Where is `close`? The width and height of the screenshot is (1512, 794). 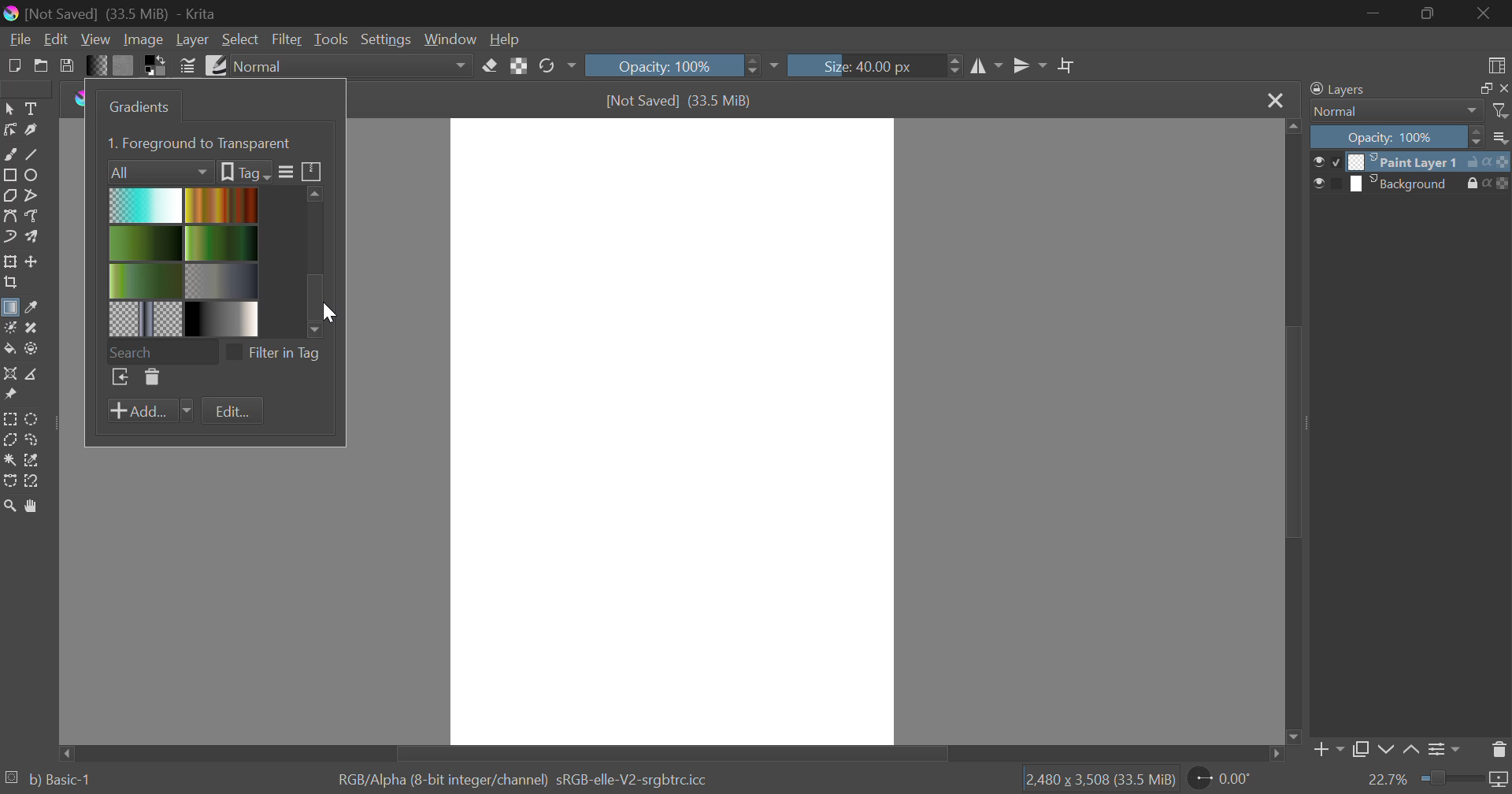
close is located at coordinates (1503, 88).